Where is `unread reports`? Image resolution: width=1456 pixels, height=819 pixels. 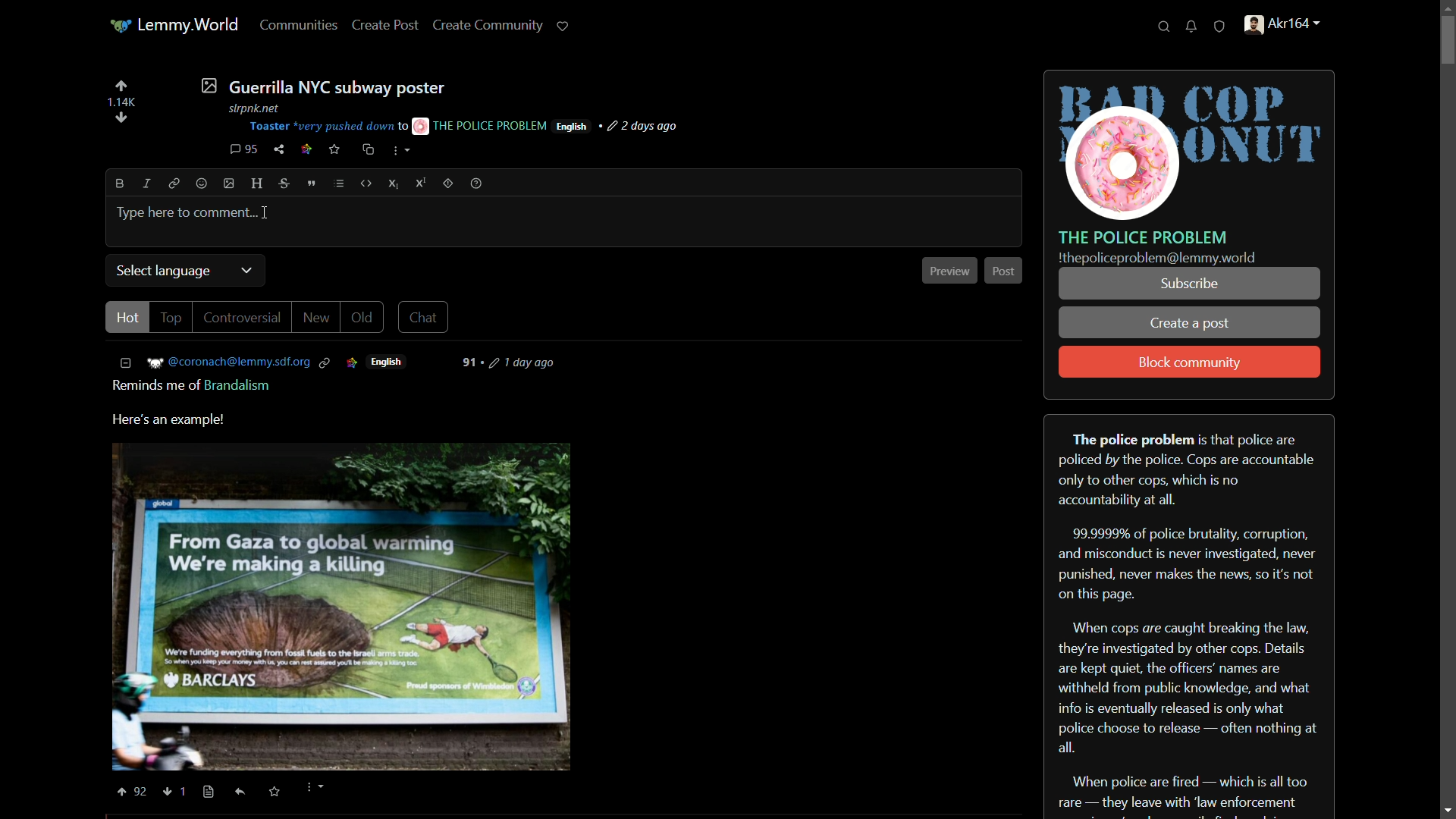 unread reports is located at coordinates (1220, 27).